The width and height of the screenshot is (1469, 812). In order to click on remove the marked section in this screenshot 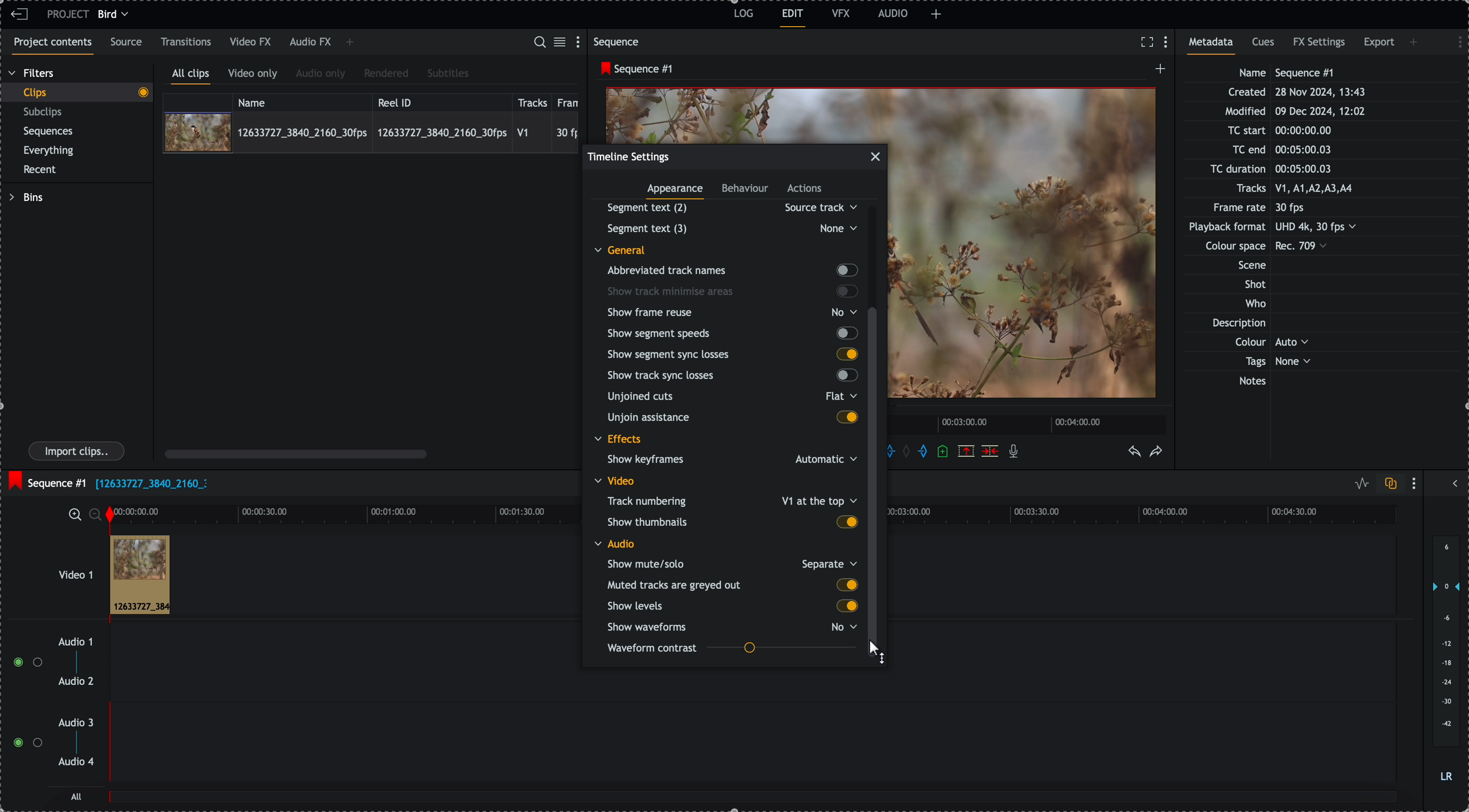, I will do `click(966, 450)`.